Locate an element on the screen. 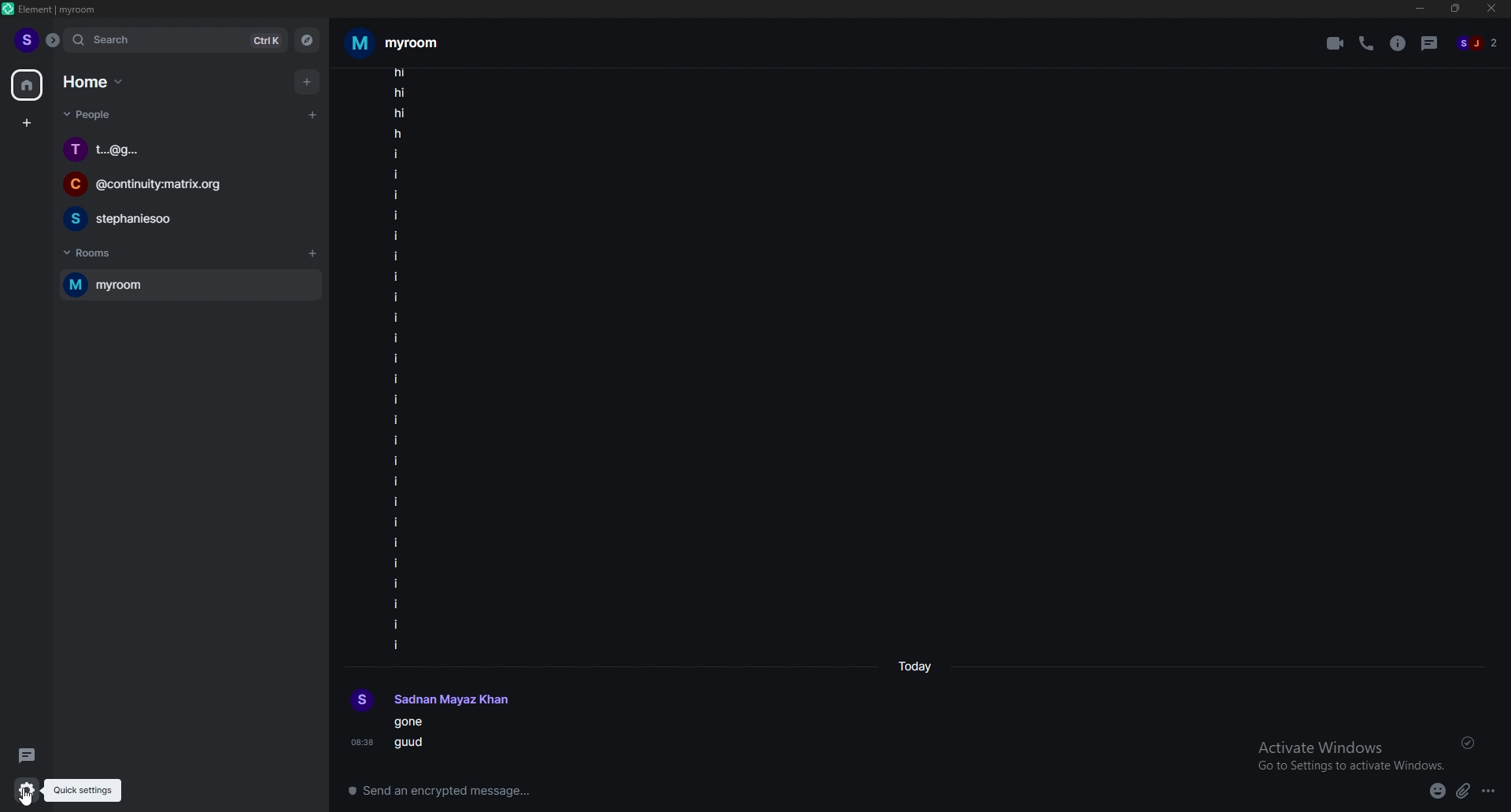  texts is located at coordinates (416, 736).